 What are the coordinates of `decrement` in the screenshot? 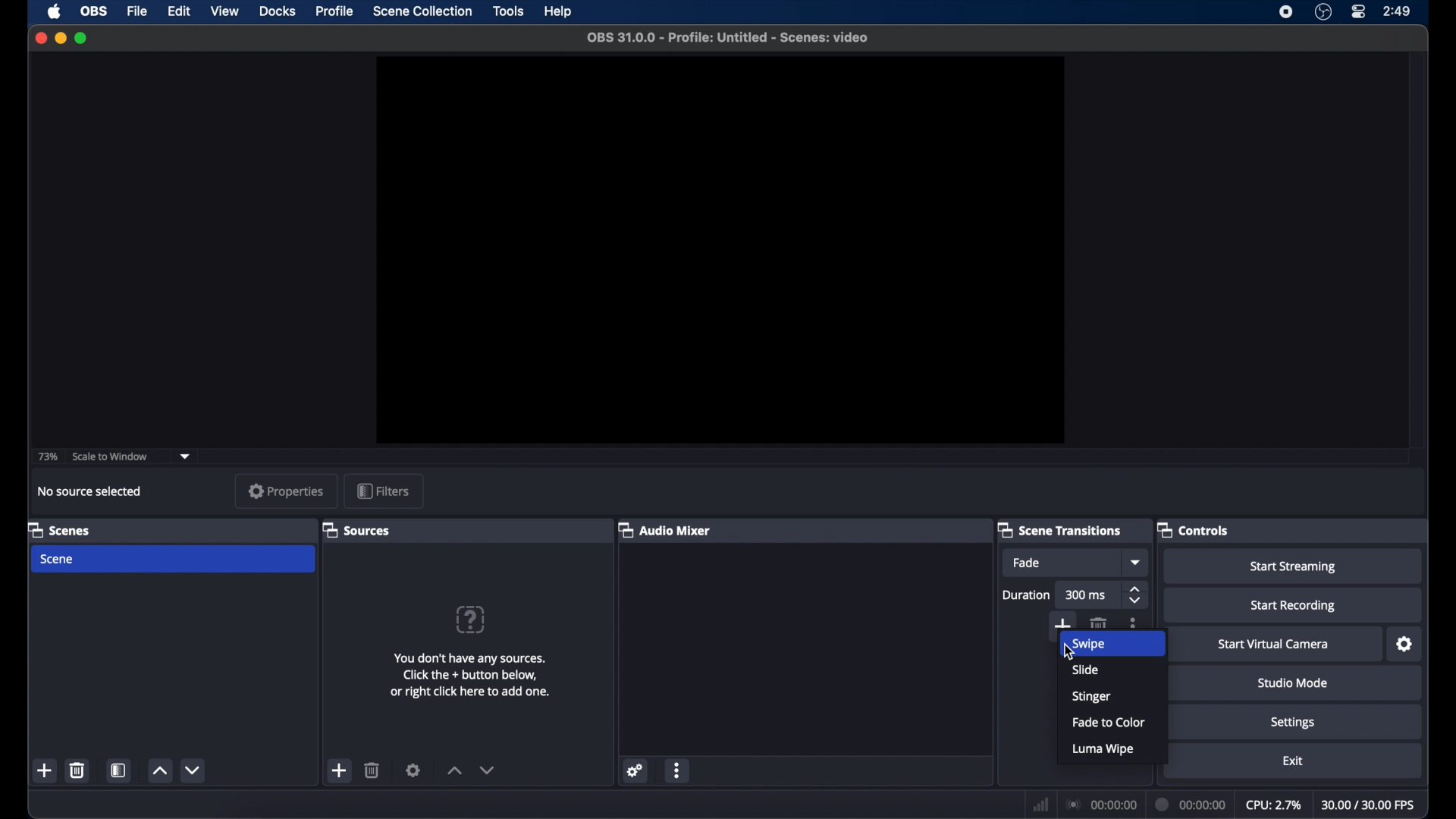 It's located at (488, 770).